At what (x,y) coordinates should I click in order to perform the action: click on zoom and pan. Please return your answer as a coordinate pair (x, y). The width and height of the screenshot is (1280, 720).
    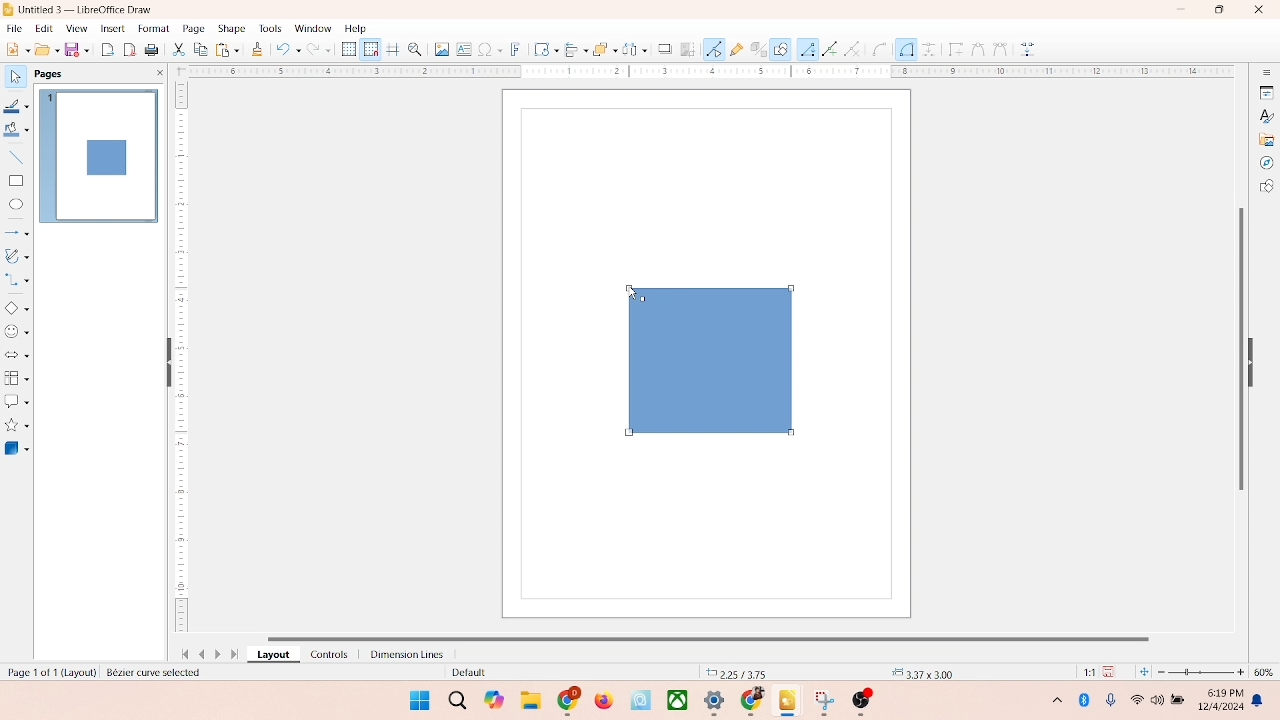
    Looking at the image, I should click on (414, 48).